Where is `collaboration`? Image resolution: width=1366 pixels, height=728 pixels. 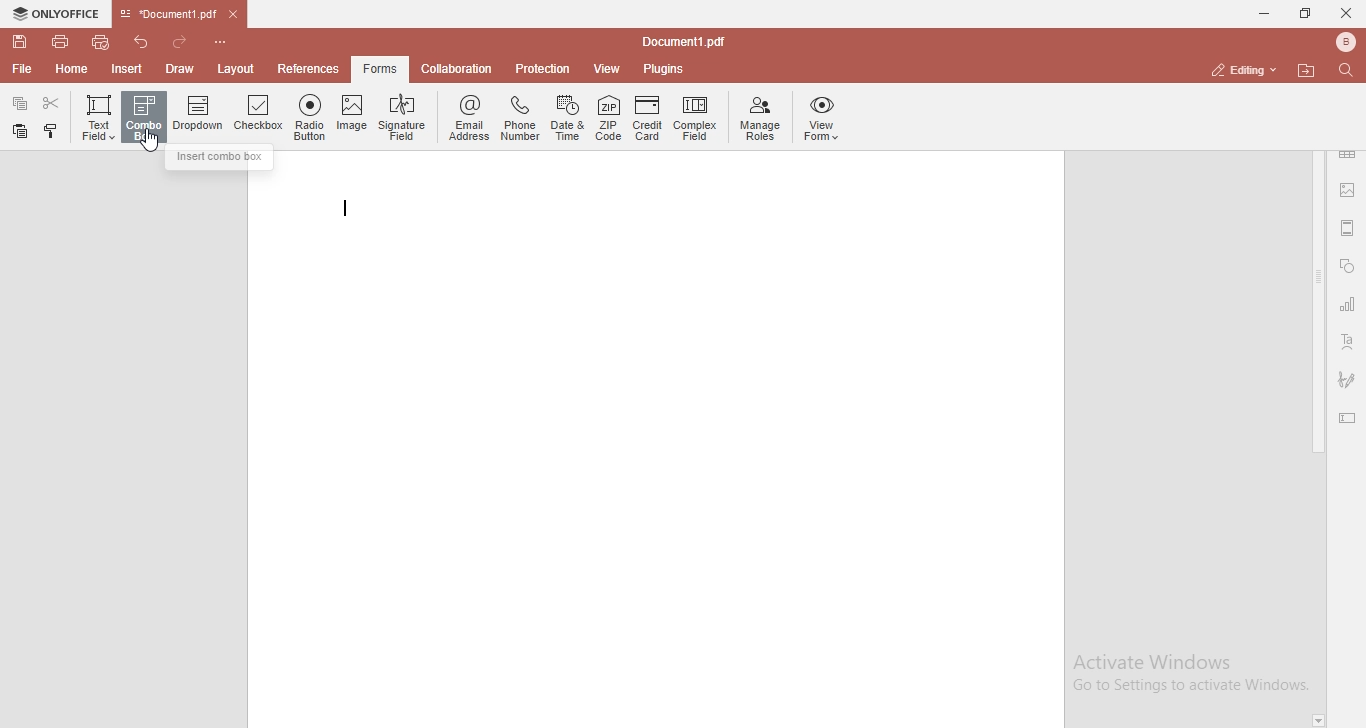
collaboration is located at coordinates (461, 67).